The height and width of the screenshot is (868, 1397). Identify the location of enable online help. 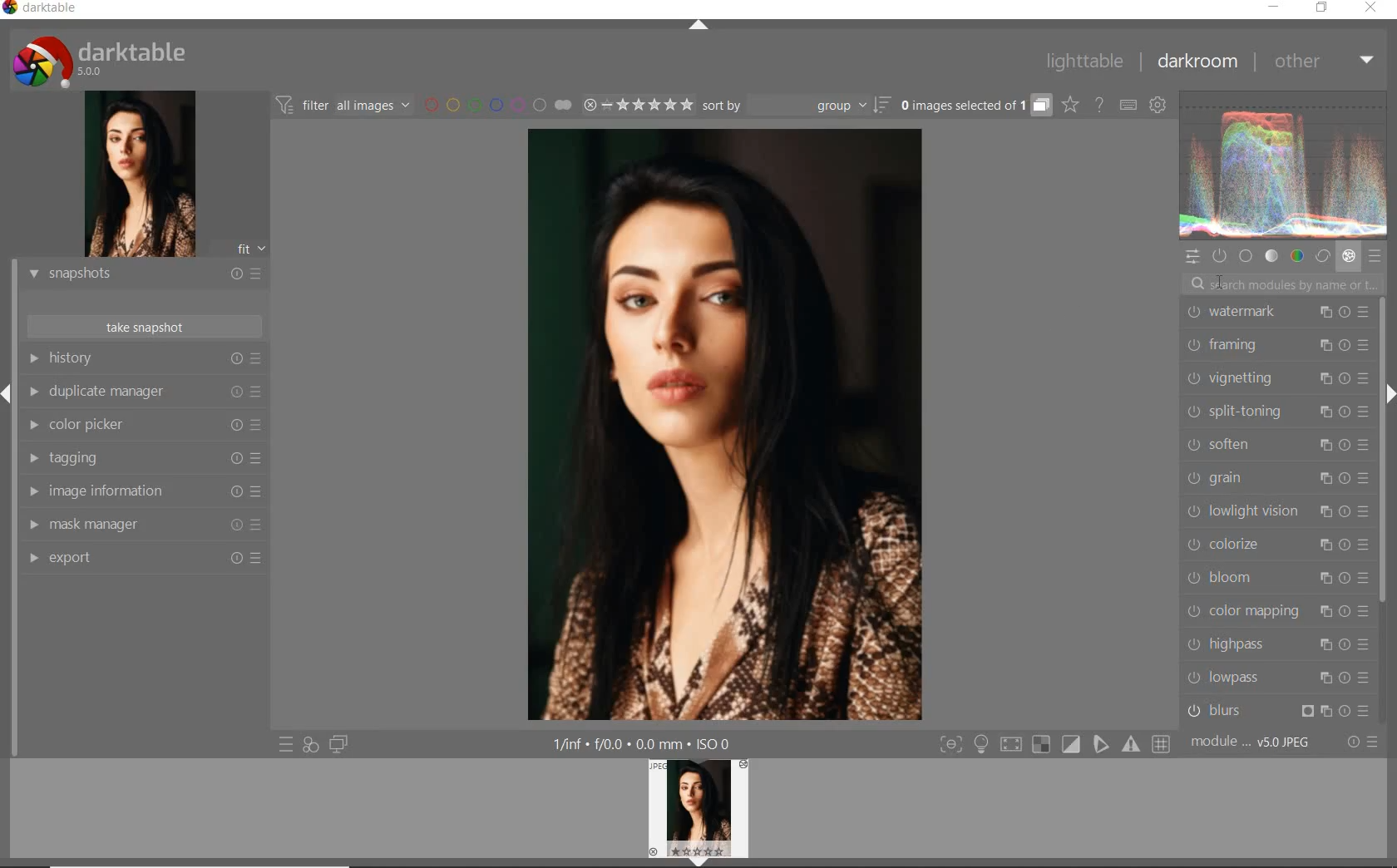
(1099, 106).